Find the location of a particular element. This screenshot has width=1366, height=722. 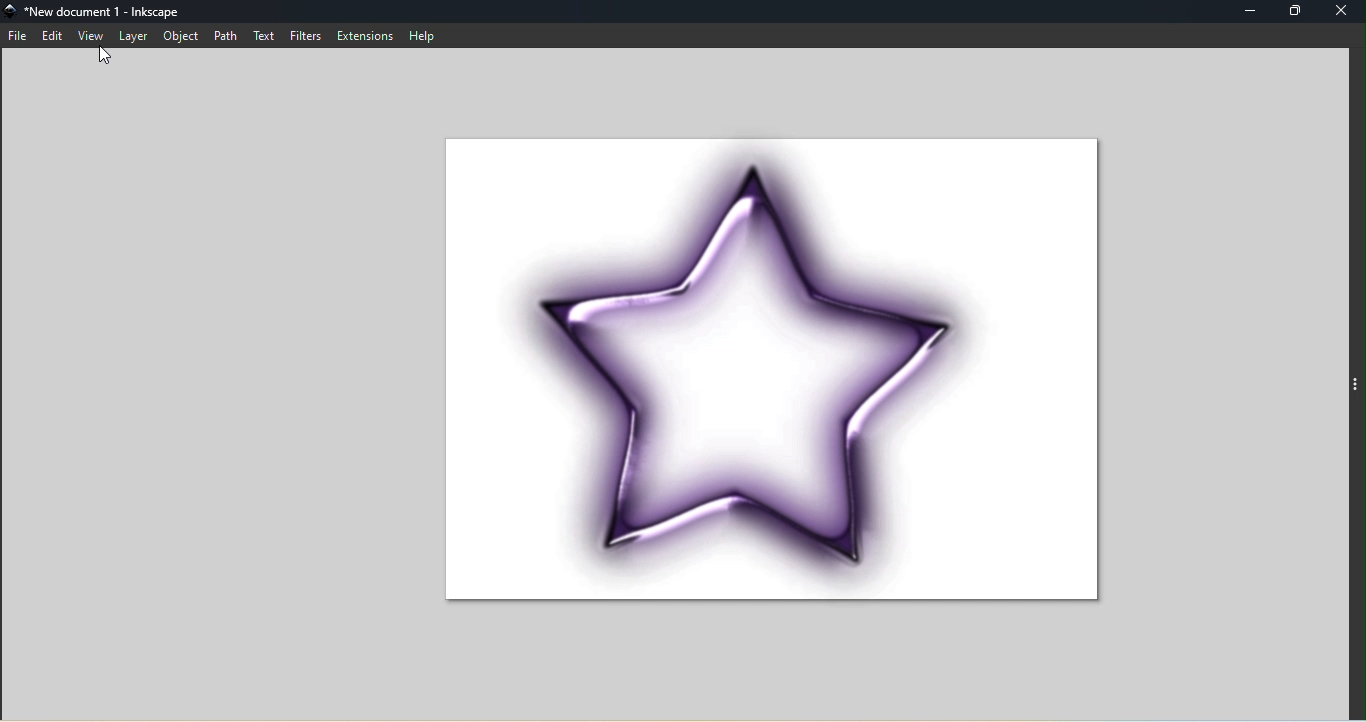

Close is located at coordinates (1345, 10).